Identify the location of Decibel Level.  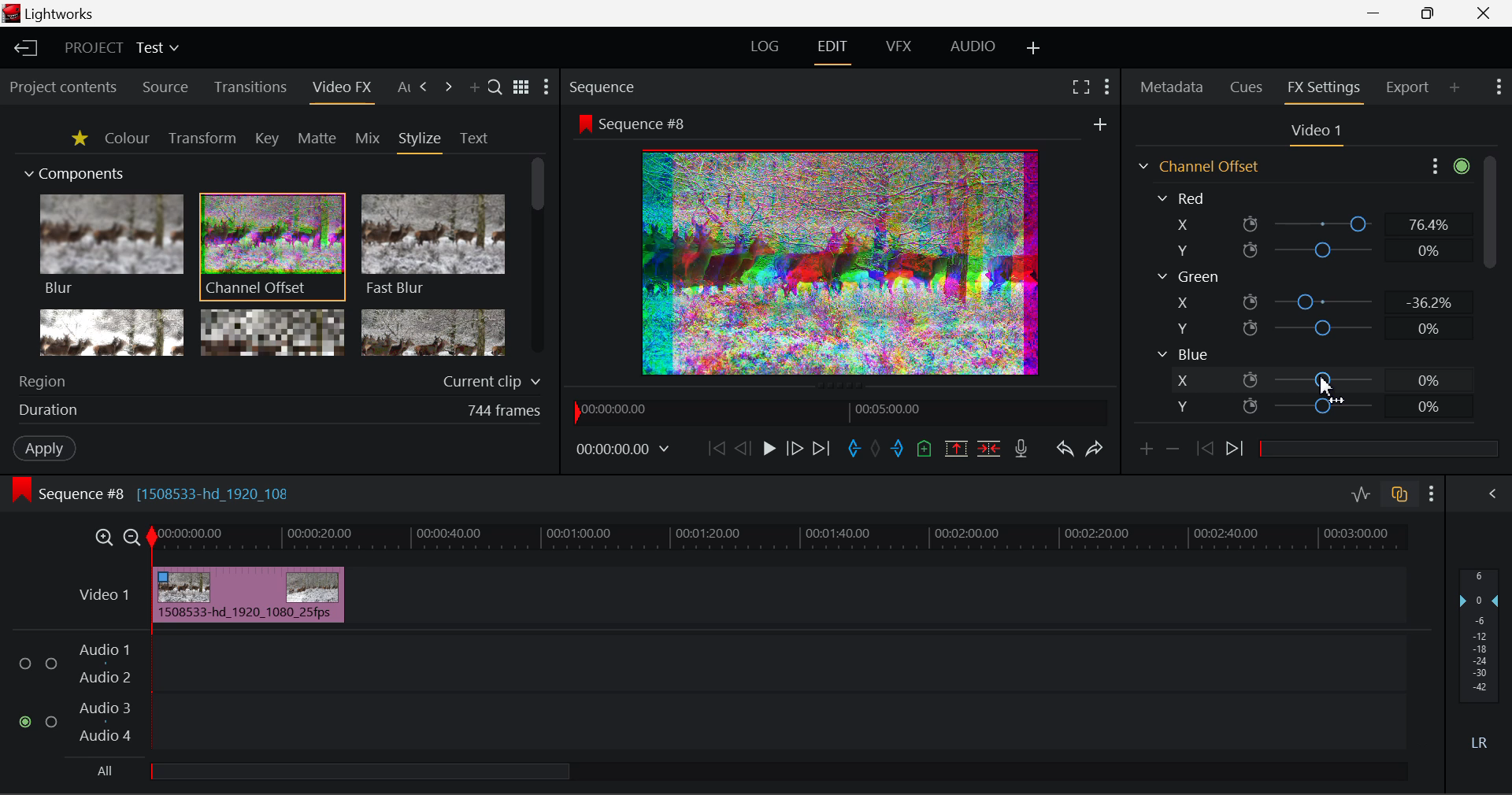
(1480, 657).